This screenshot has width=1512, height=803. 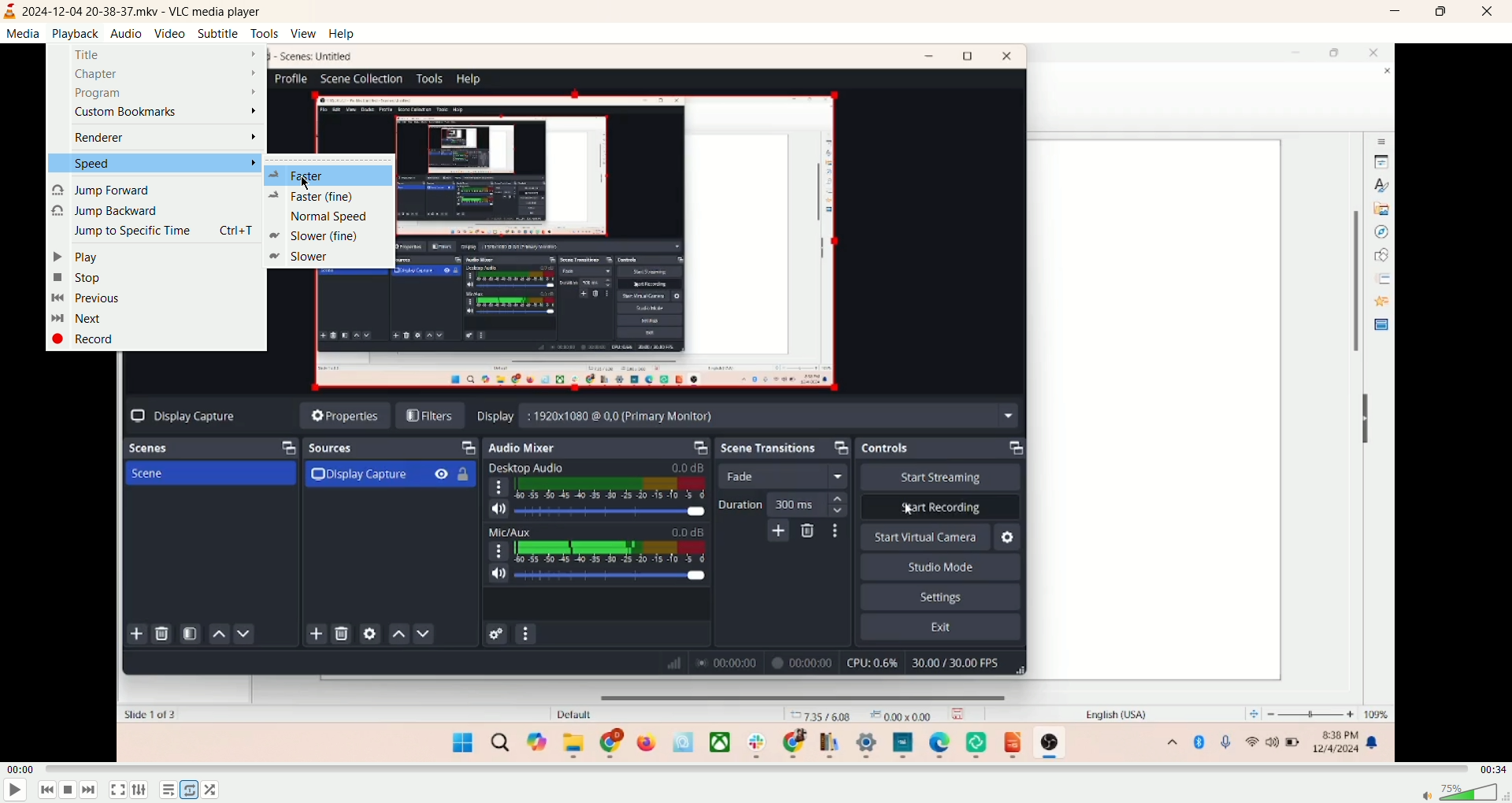 What do you see at coordinates (340, 35) in the screenshot?
I see `help` at bounding box center [340, 35].